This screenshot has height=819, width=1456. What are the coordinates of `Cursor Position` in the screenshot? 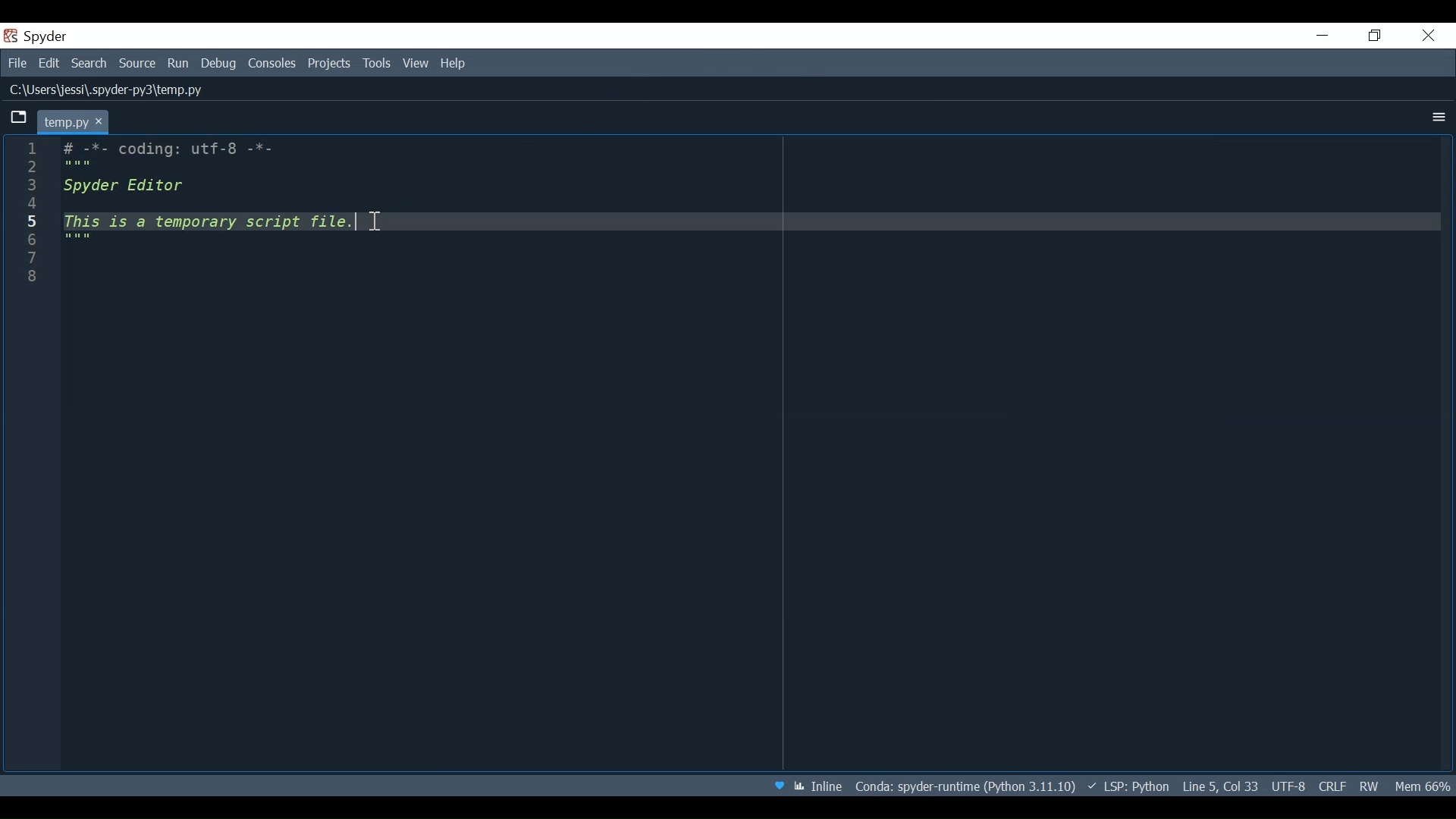 It's located at (1220, 786).